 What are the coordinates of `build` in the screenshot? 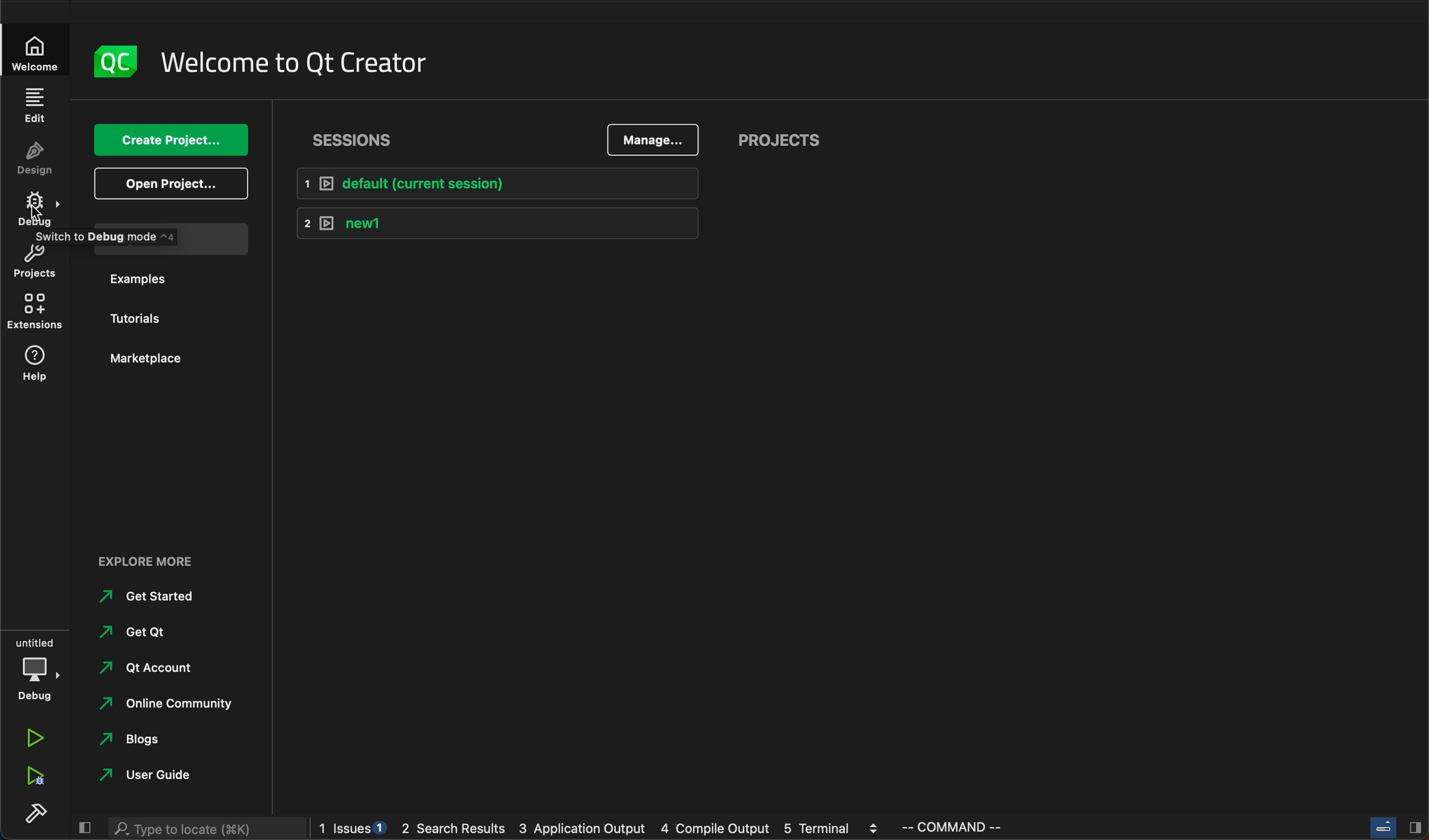 It's located at (30, 811).